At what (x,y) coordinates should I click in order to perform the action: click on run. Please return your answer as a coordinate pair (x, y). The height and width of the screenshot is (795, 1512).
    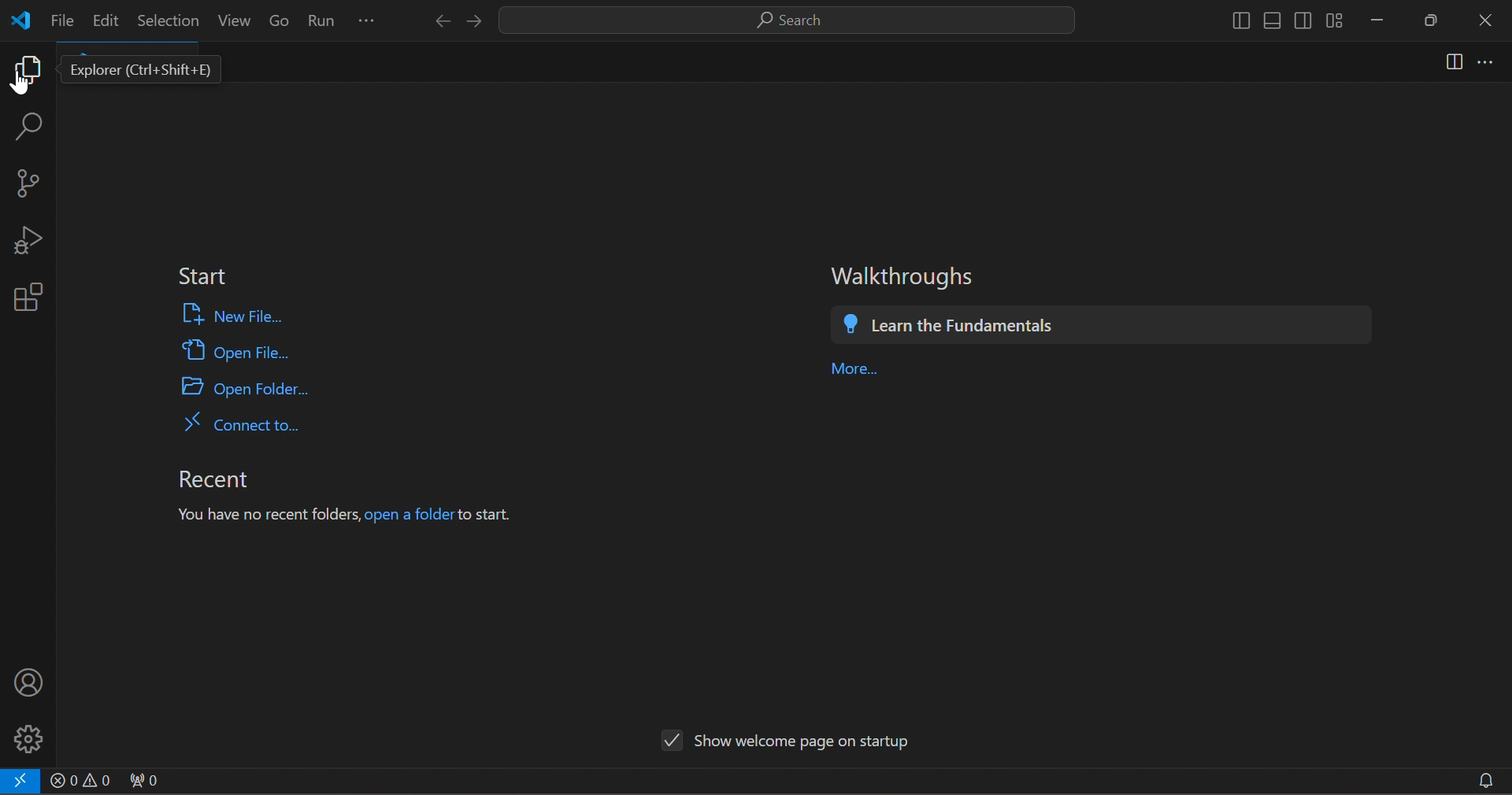
    Looking at the image, I should click on (324, 17).